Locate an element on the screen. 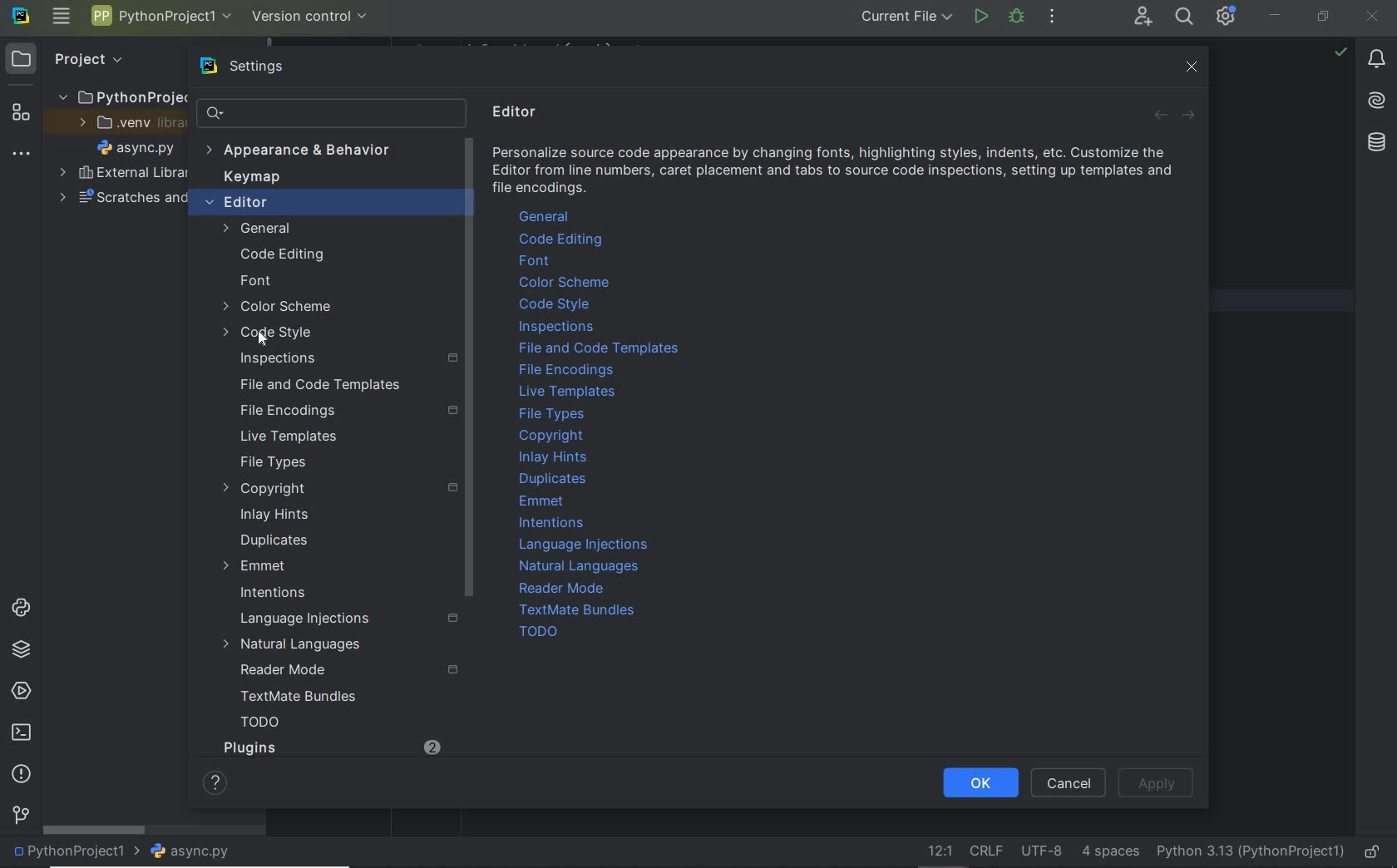 This screenshot has width=1397, height=868. color scheme is located at coordinates (564, 283).